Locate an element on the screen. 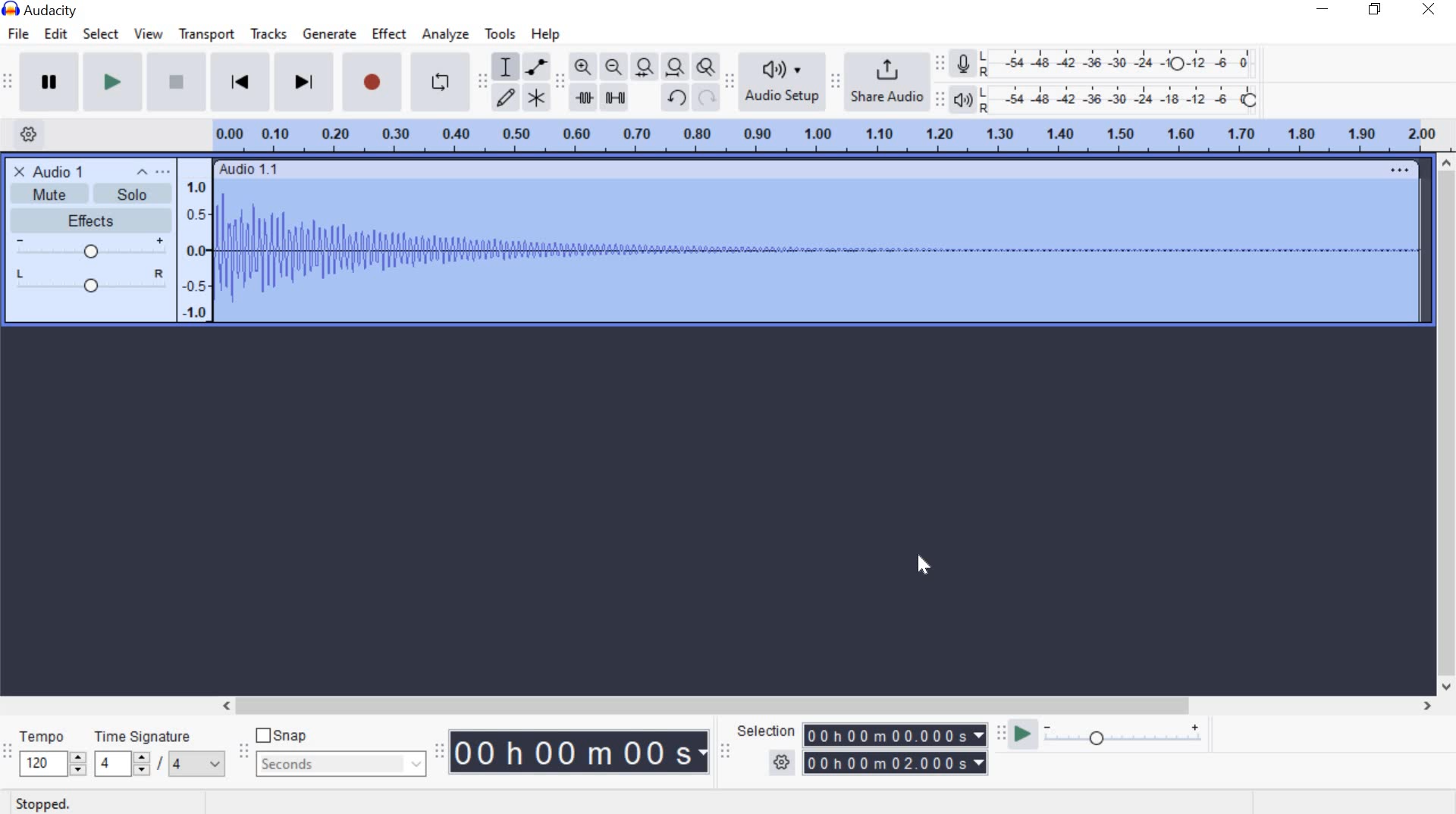  silence audio selection is located at coordinates (613, 98).